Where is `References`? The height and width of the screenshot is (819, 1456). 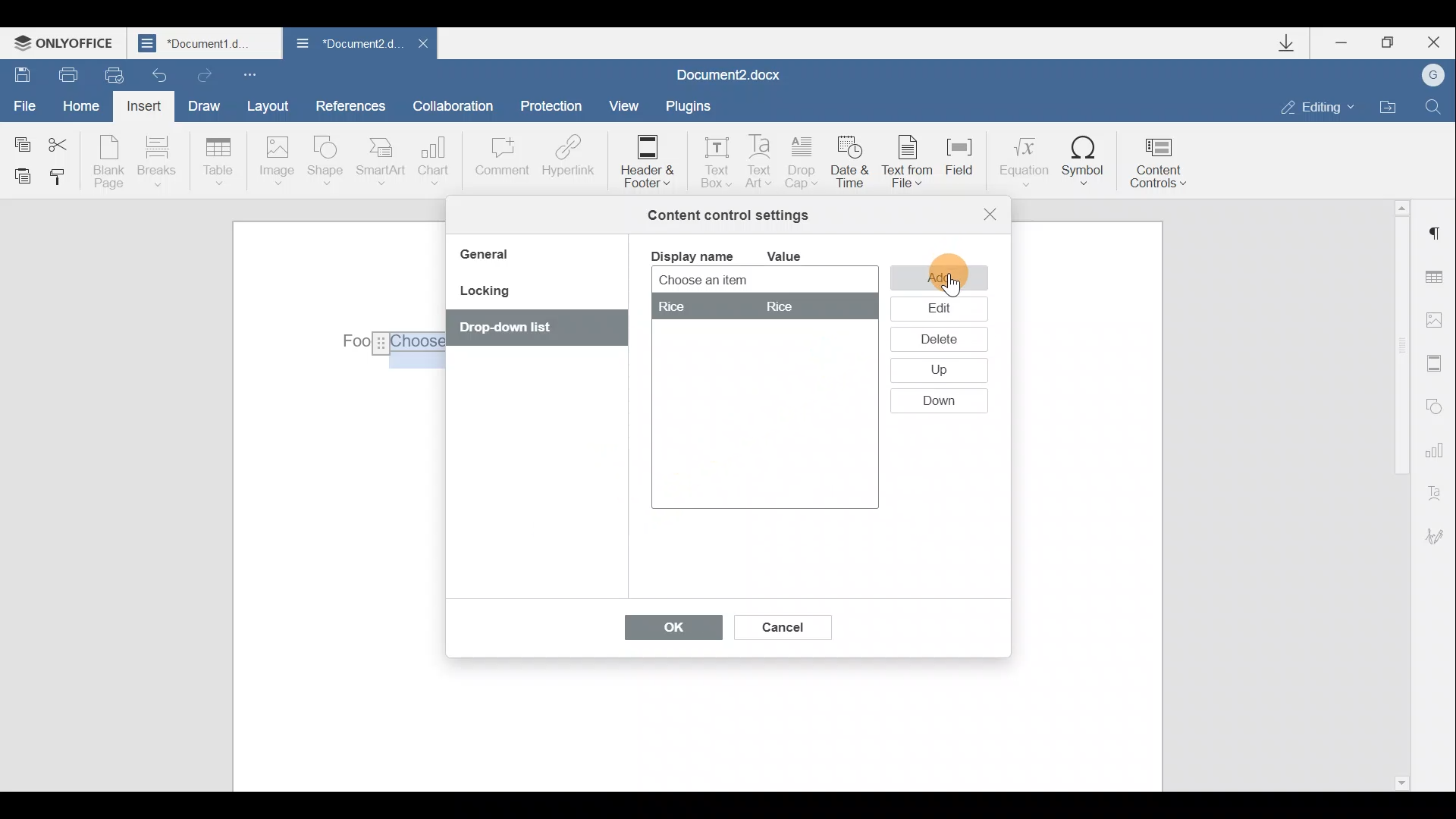
References is located at coordinates (350, 104).